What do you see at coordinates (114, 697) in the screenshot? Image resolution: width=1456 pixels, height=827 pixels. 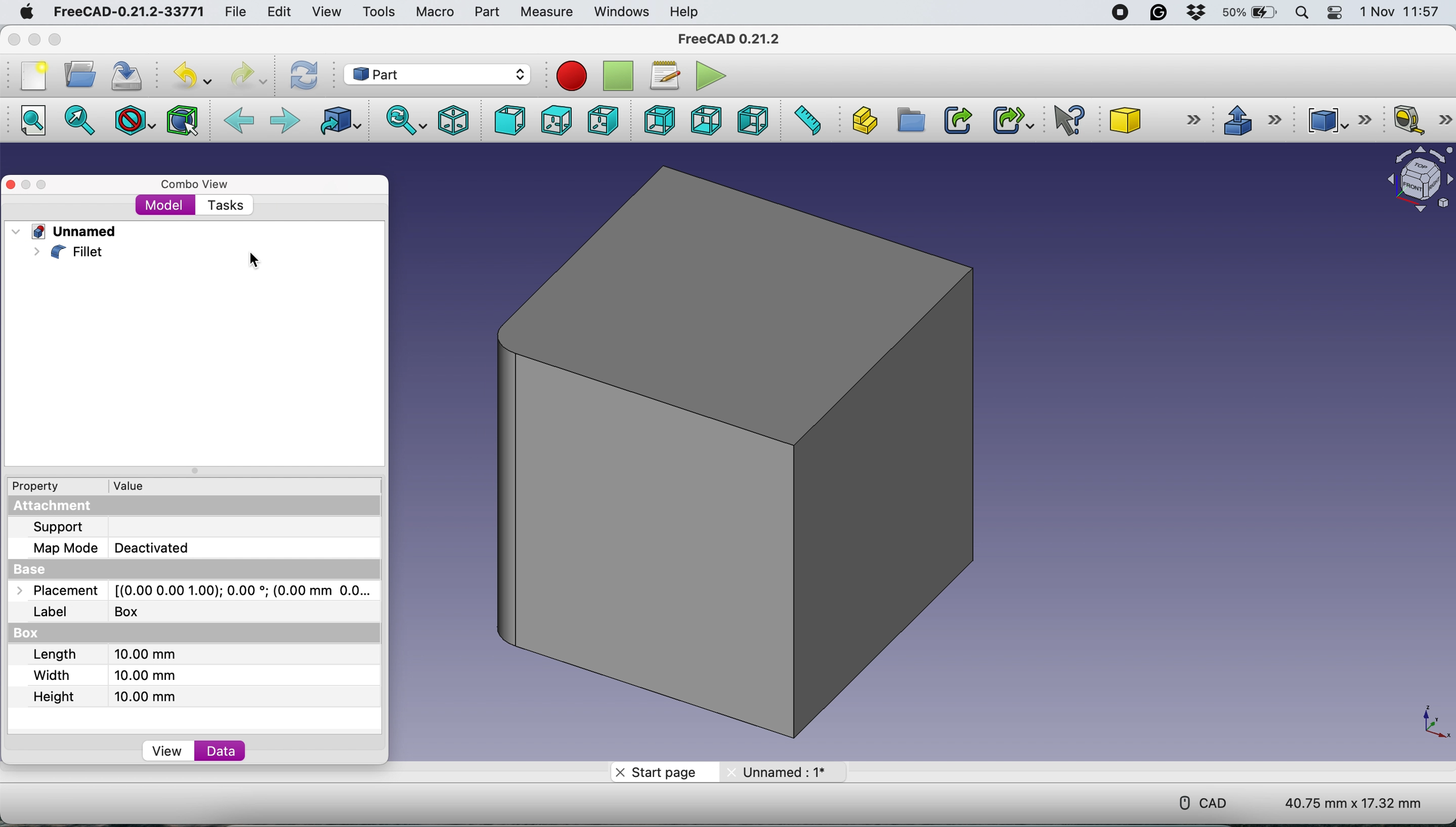 I see `height` at bounding box center [114, 697].